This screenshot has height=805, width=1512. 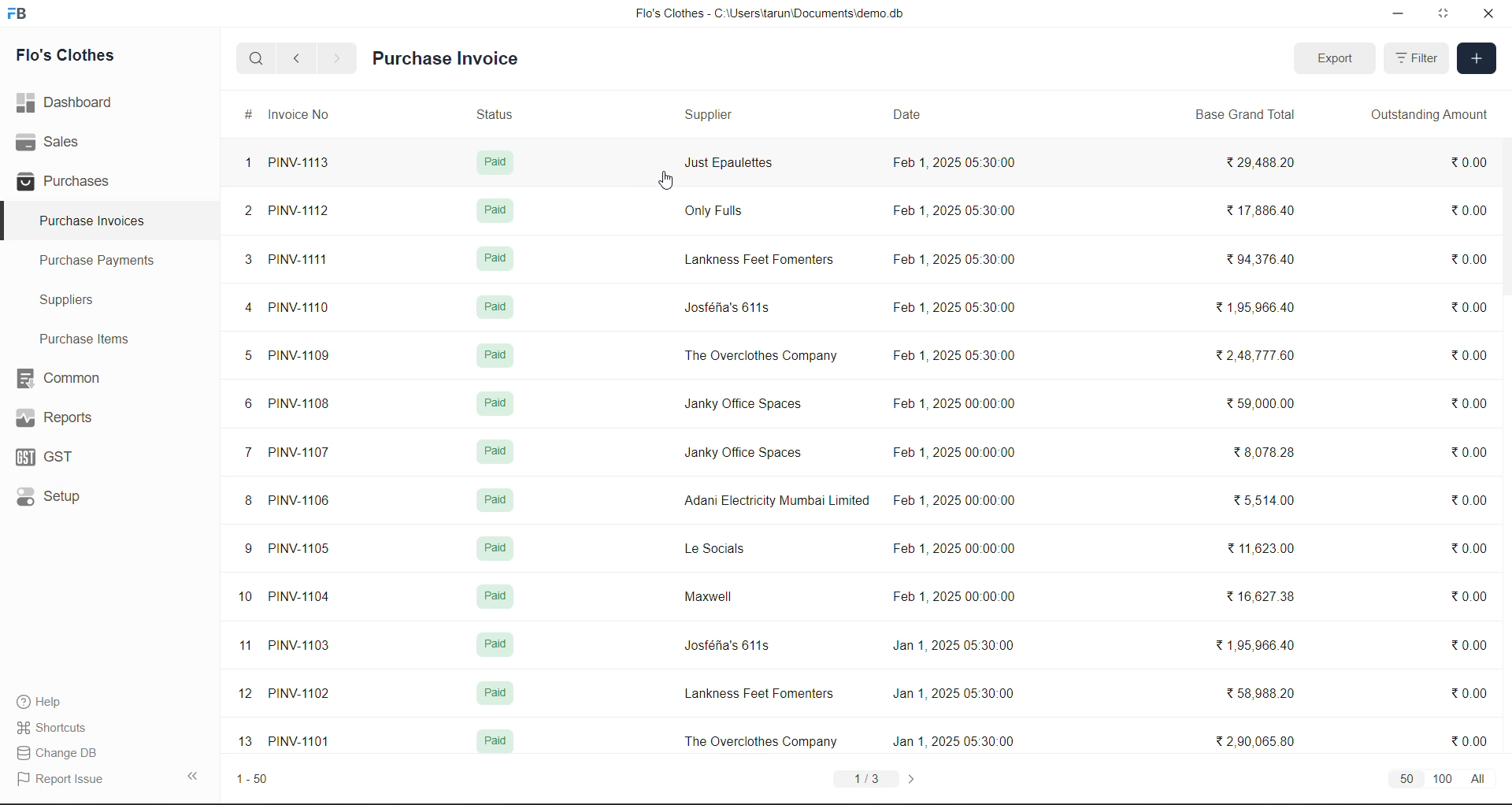 What do you see at coordinates (711, 116) in the screenshot?
I see `Supplier` at bounding box center [711, 116].